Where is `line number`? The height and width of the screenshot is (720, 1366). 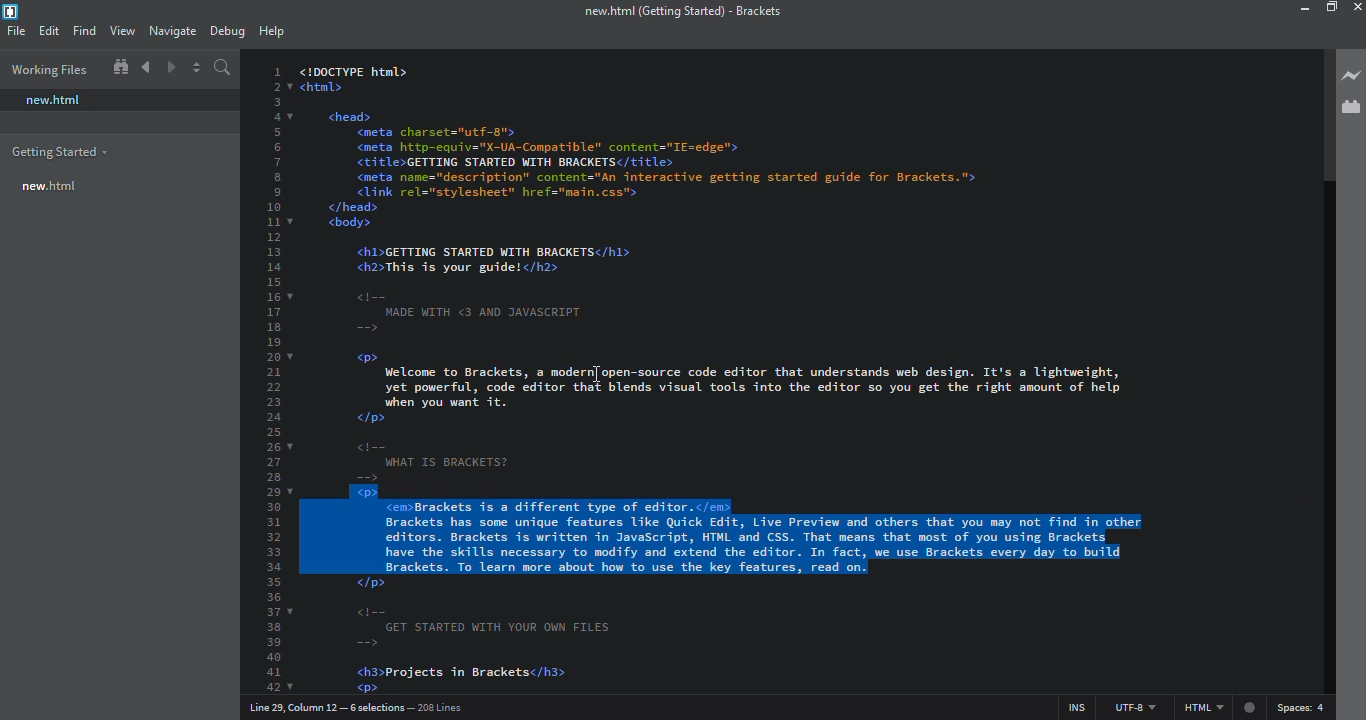 line number is located at coordinates (278, 376).